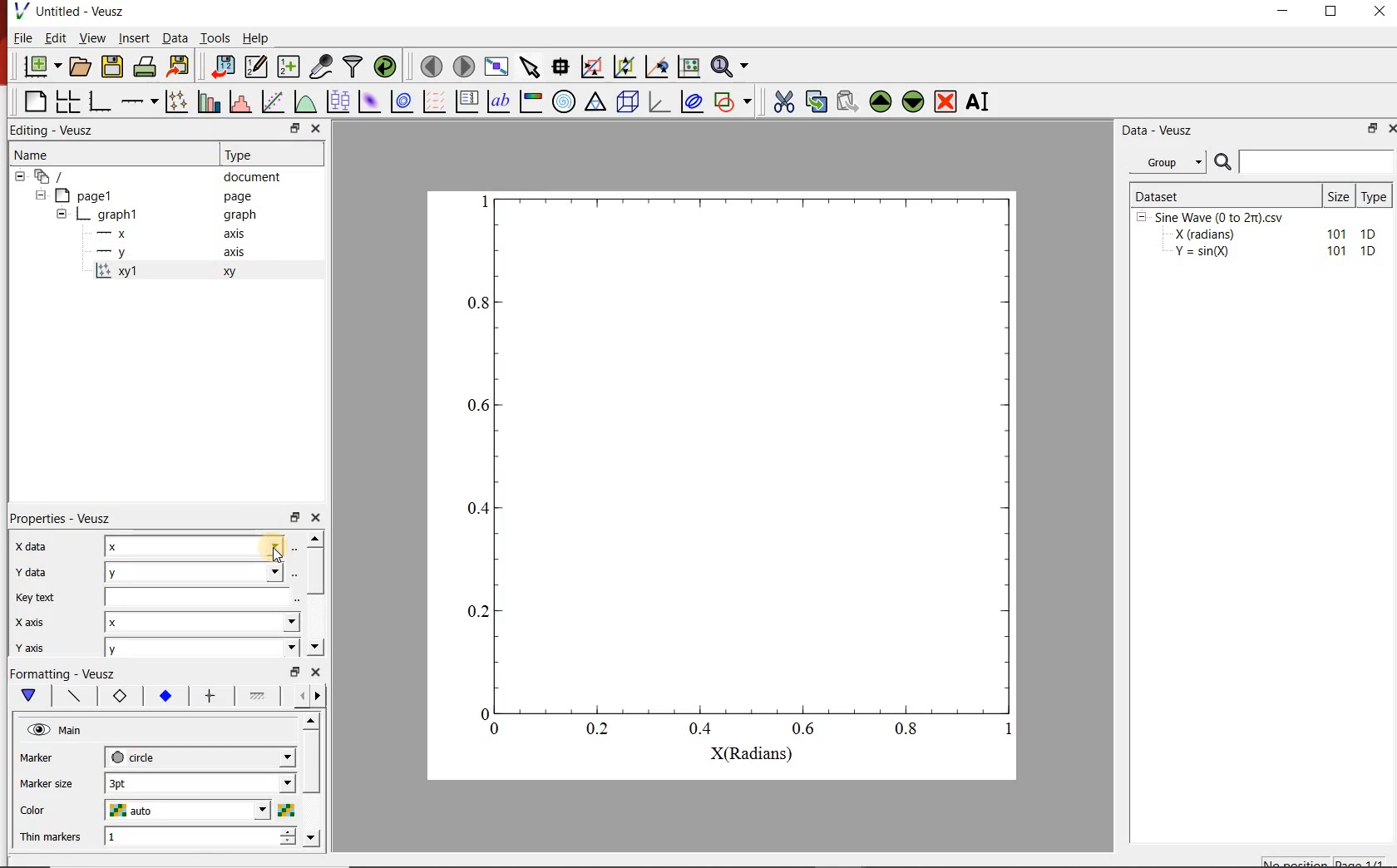 The height and width of the screenshot is (868, 1397). Describe the element at coordinates (163, 697) in the screenshot. I see `1.2` at that location.